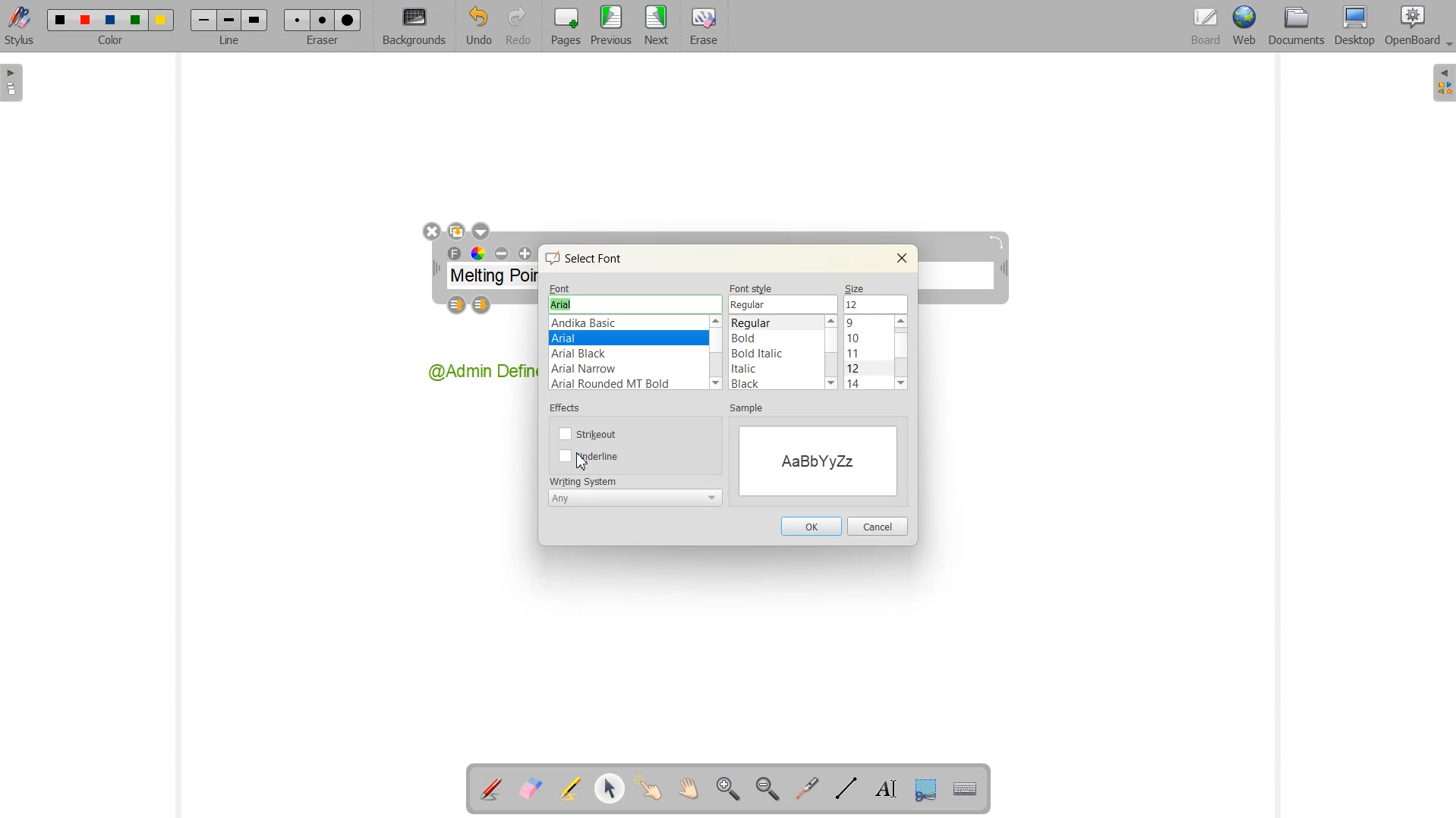  Describe the element at coordinates (481, 231) in the screenshot. I see `Dropdown box` at that location.